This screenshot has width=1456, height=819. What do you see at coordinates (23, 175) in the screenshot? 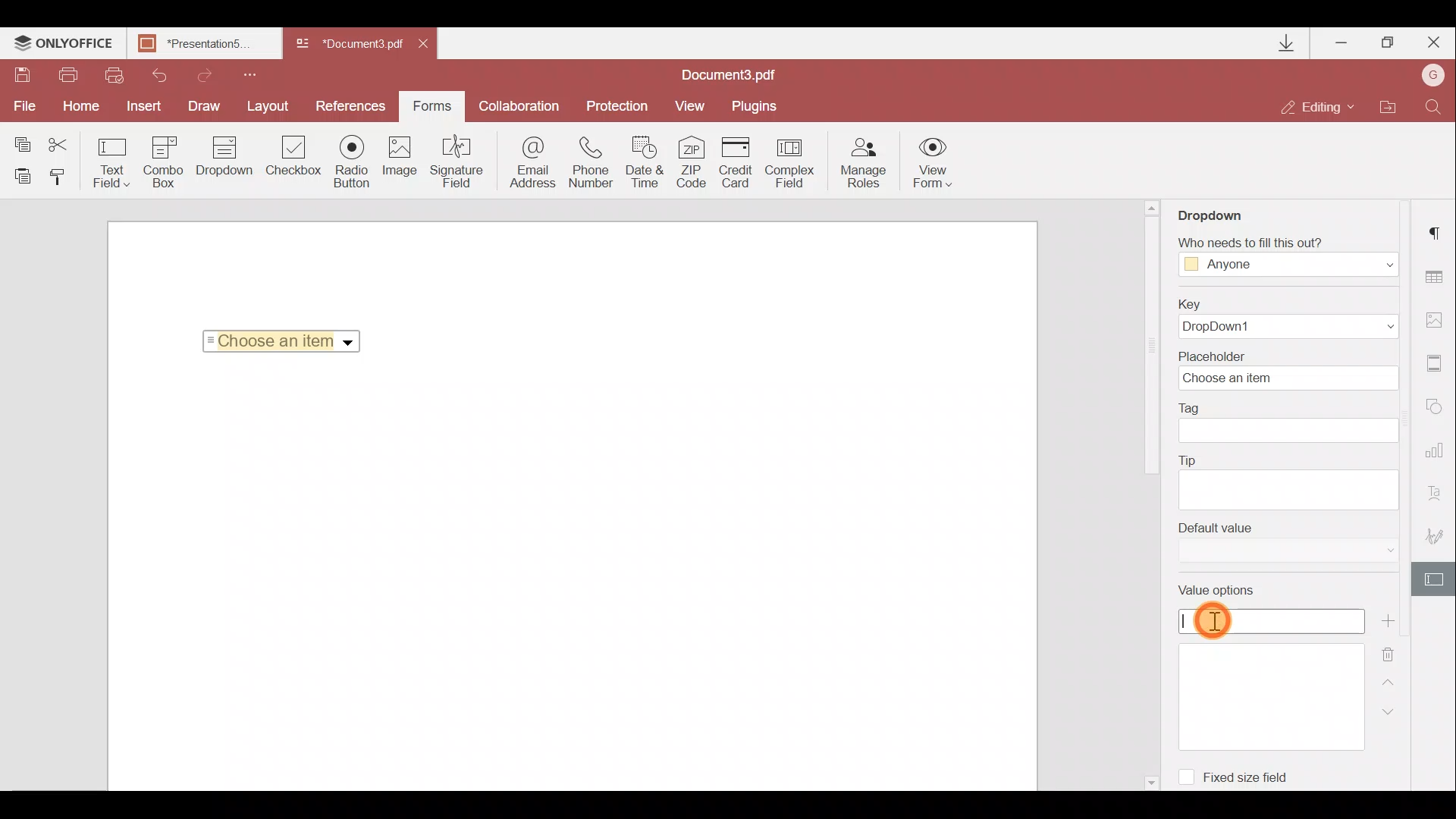
I see `Paste` at bounding box center [23, 175].